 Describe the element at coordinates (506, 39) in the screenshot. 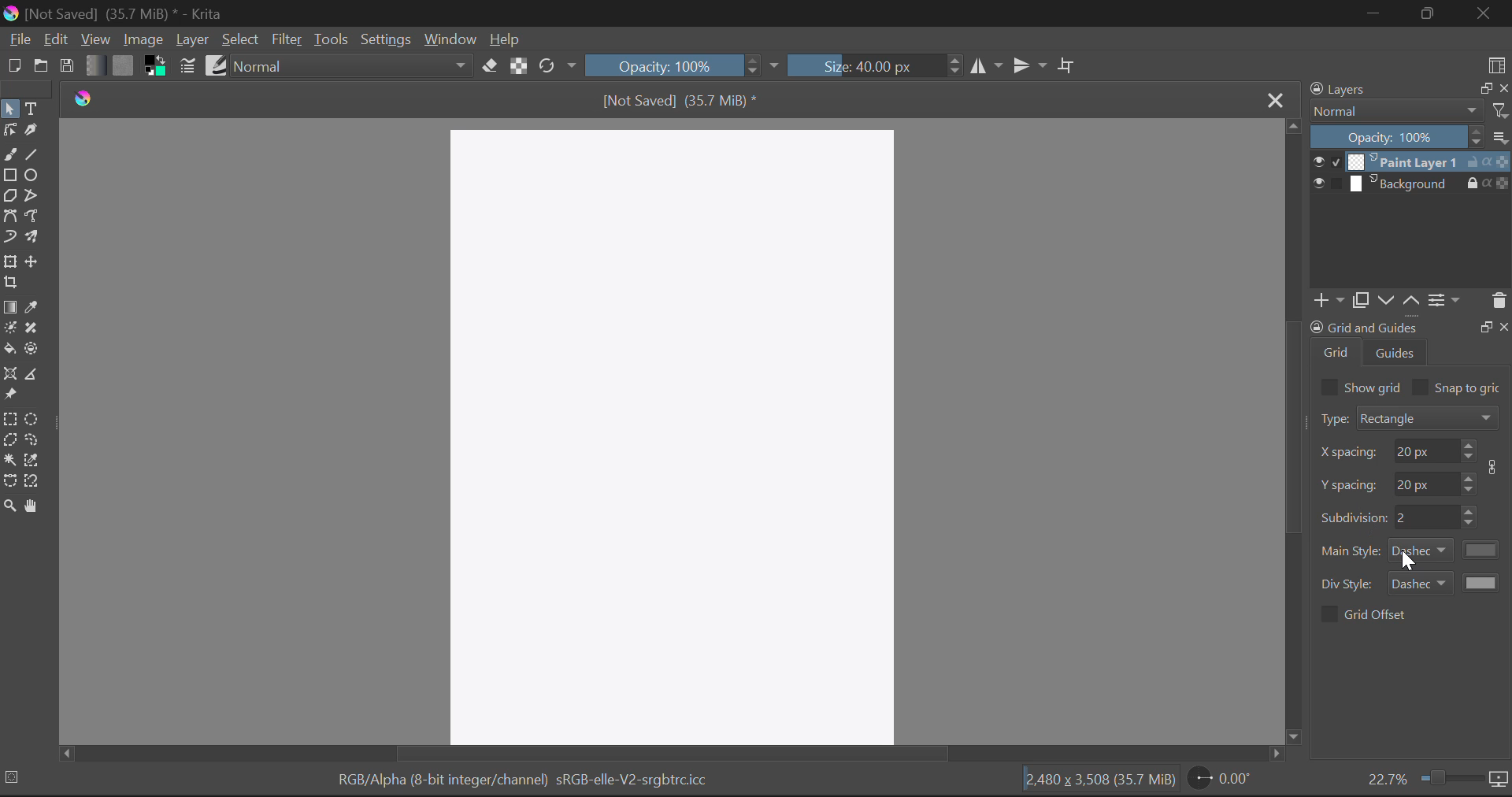

I see `Help` at that location.